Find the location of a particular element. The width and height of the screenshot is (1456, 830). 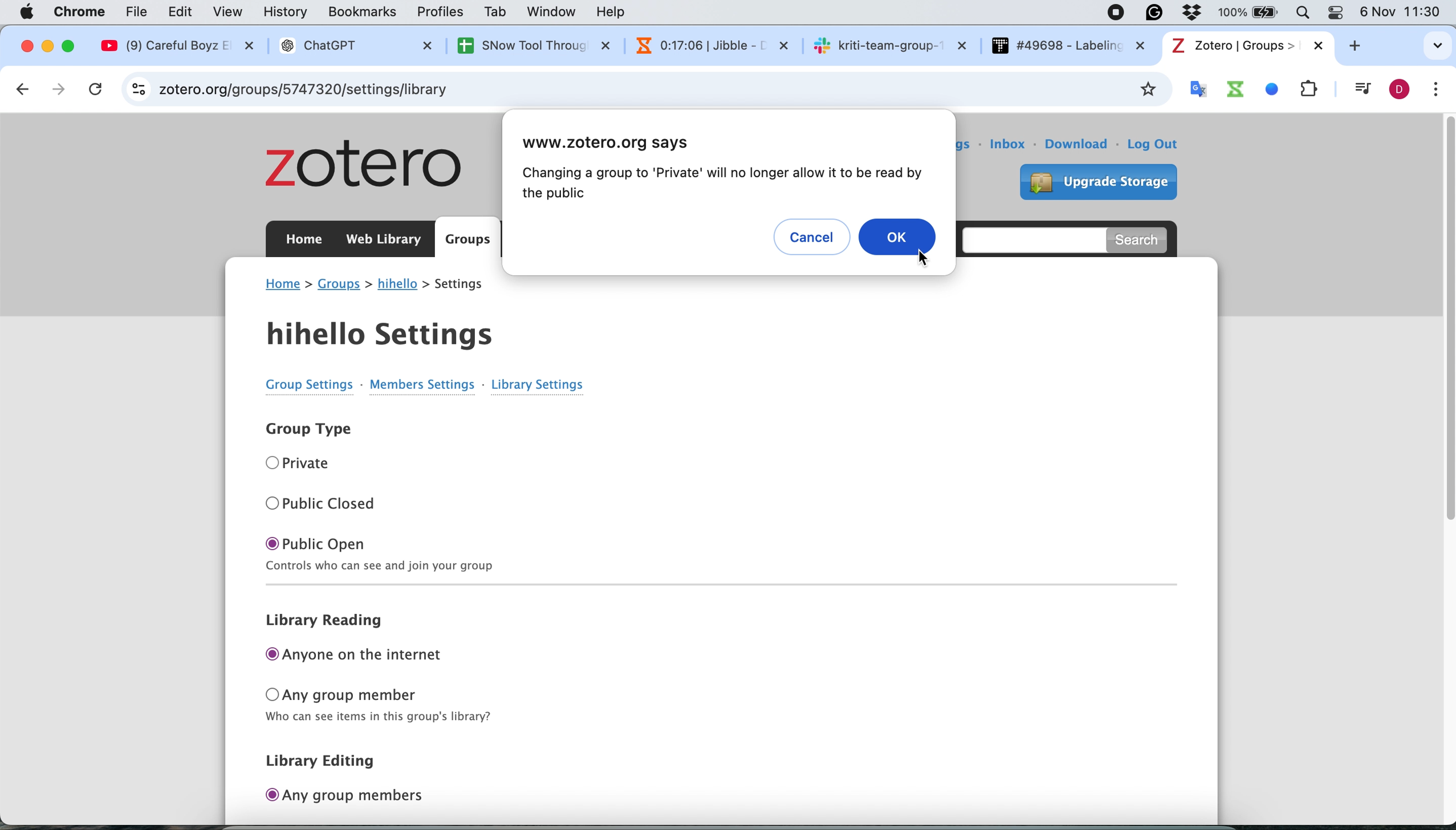

close is located at coordinates (25, 46).